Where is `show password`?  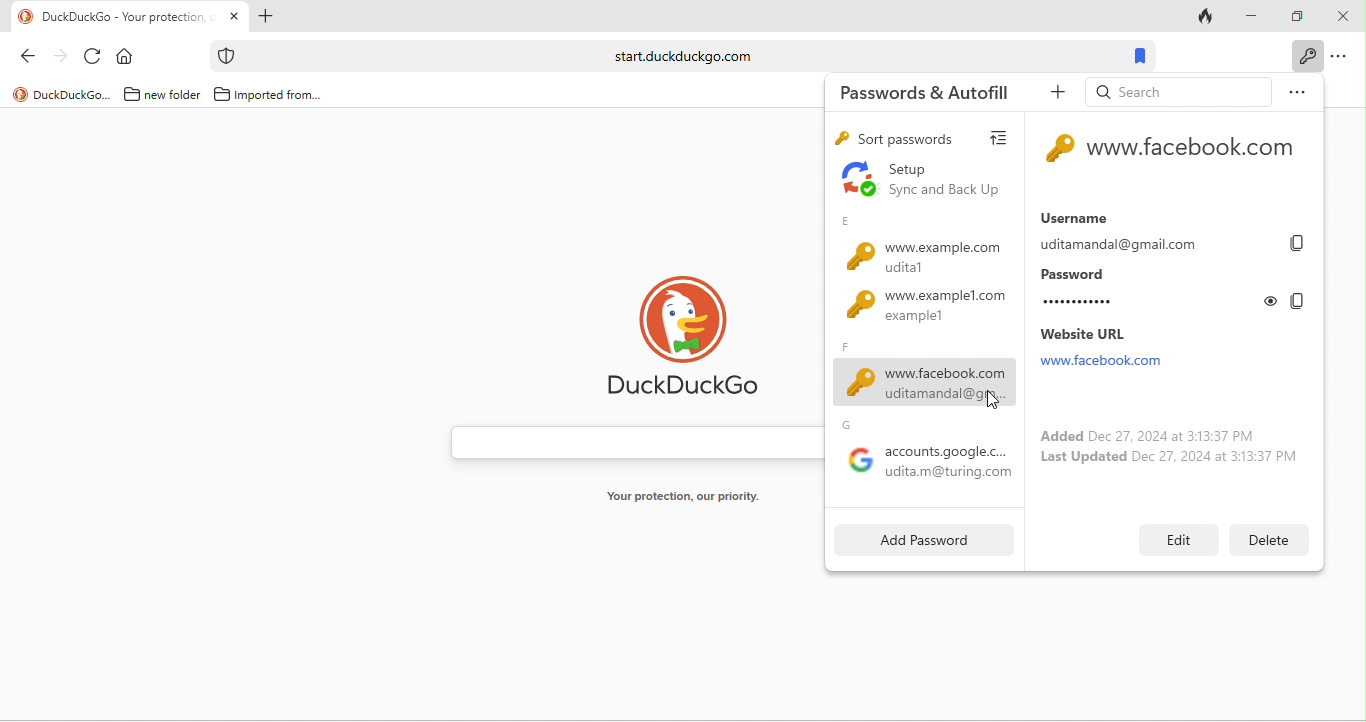 show password is located at coordinates (1272, 300).